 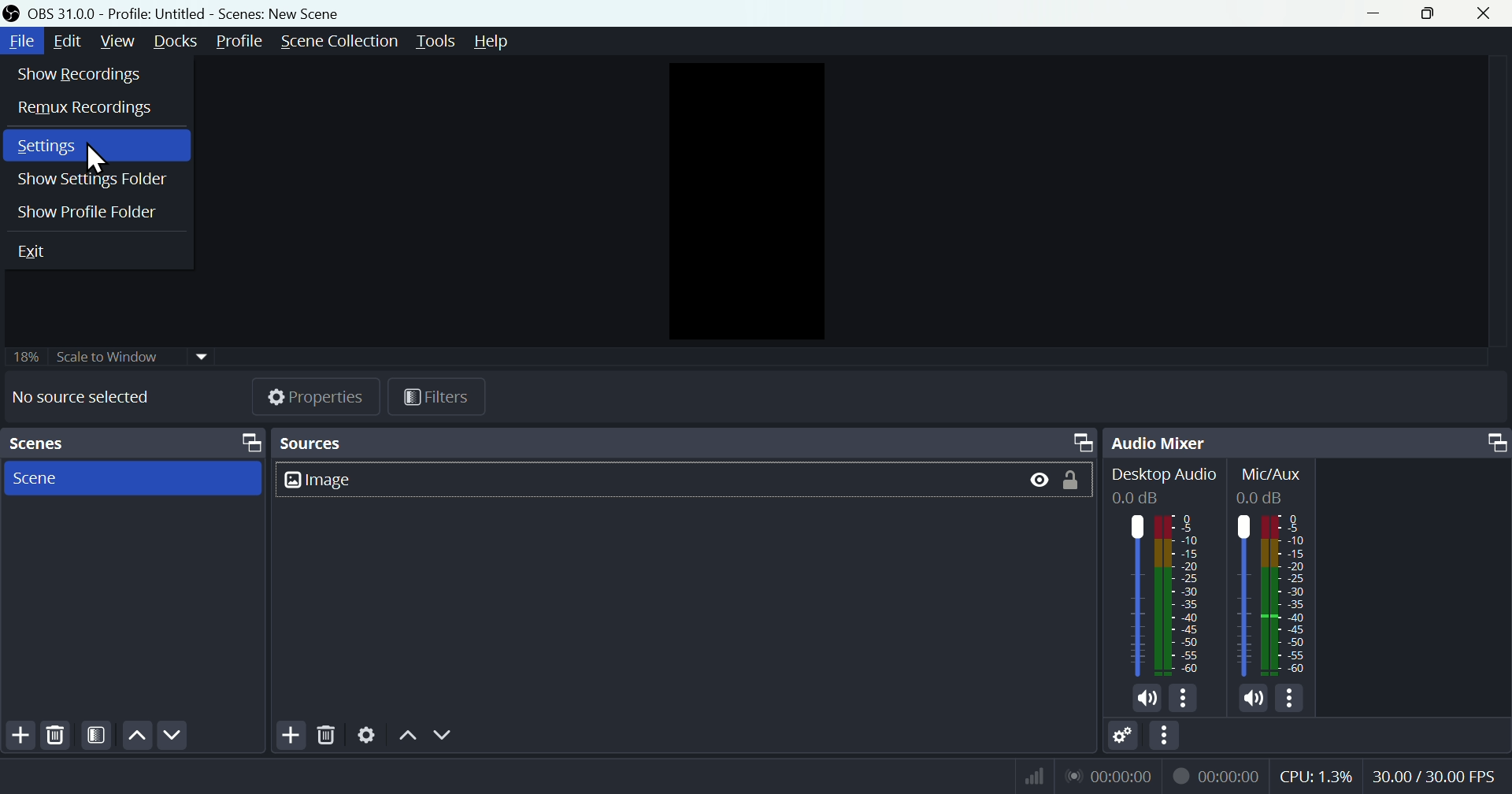 What do you see at coordinates (1034, 778) in the screenshot?
I see `network` at bounding box center [1034, 778].